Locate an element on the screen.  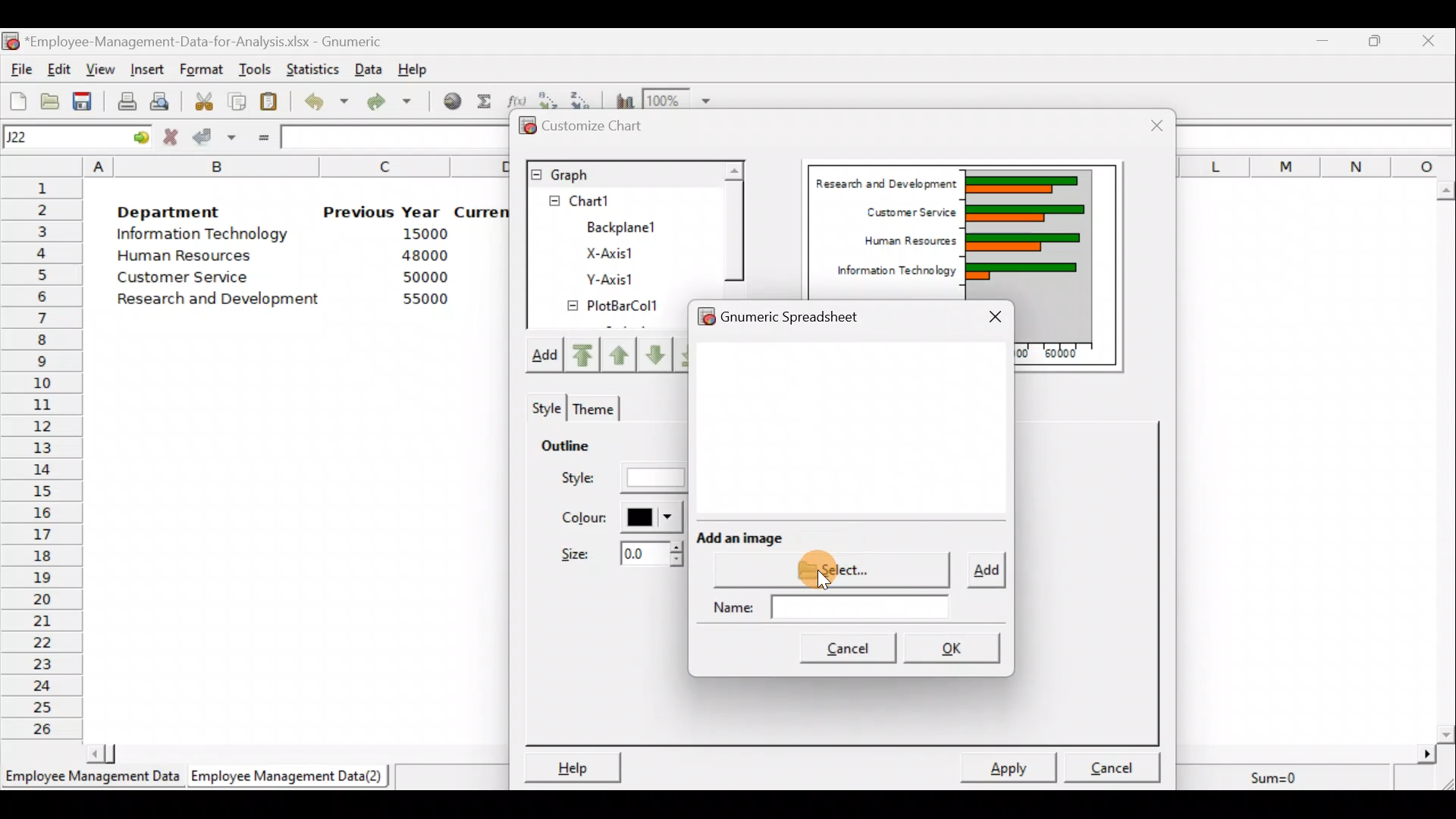
Apply is located at coordinates (1010, 767).